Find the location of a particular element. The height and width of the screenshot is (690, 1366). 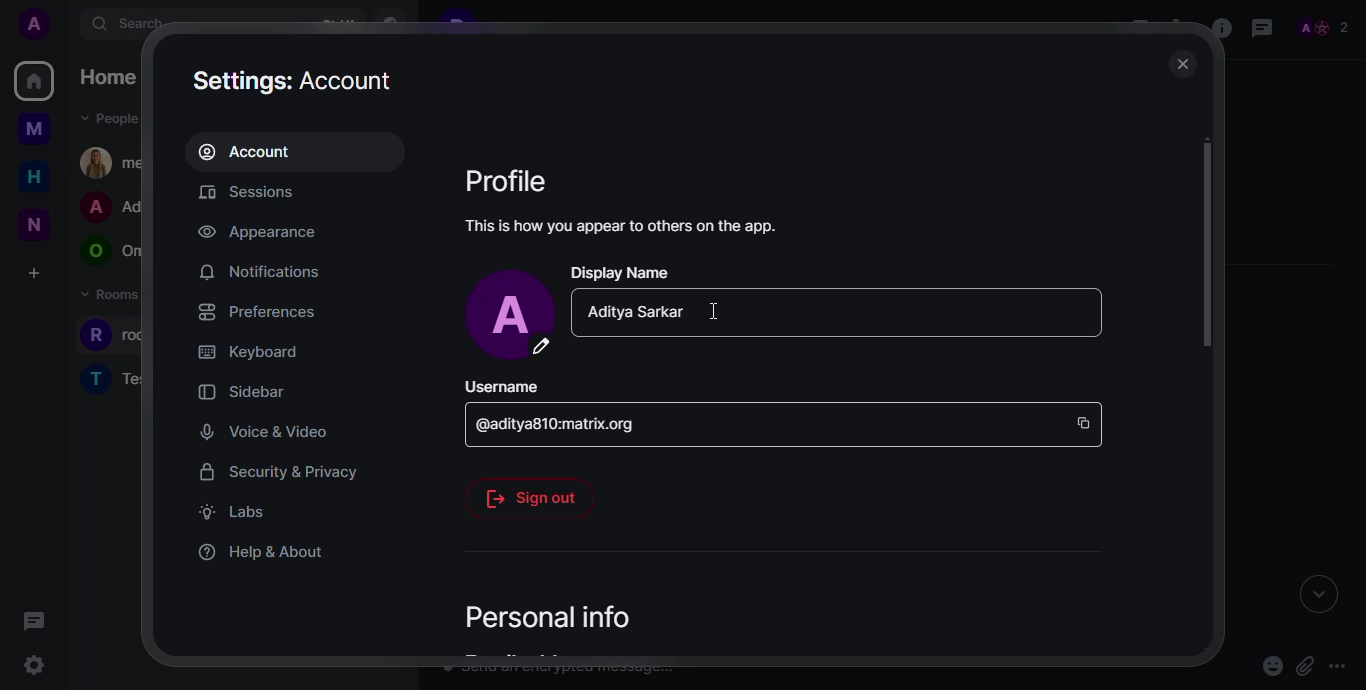

close is located at coordinates (1181, 64).